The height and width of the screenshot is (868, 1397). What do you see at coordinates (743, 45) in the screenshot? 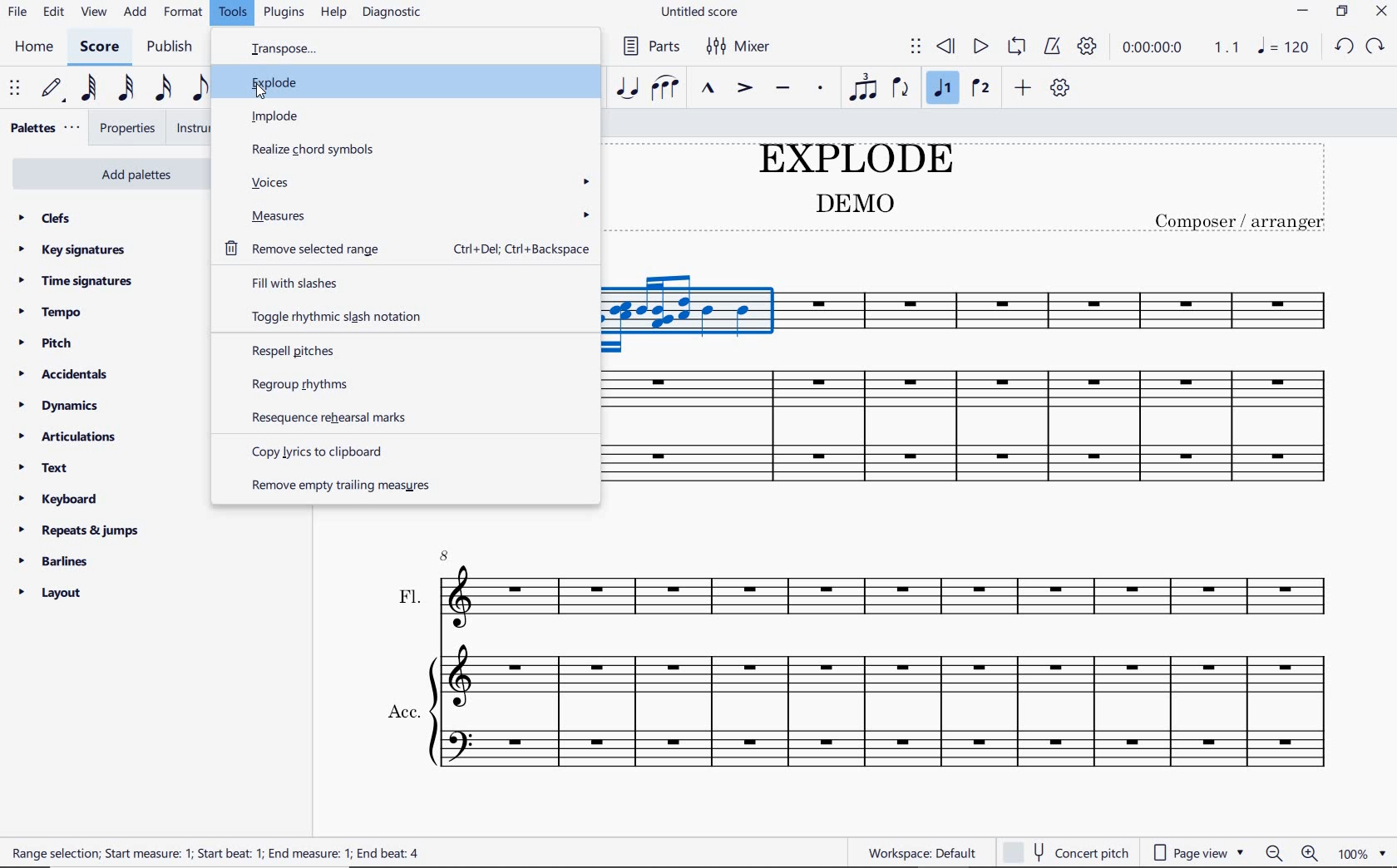
I see `mixer` at bounding box center [743, 45].